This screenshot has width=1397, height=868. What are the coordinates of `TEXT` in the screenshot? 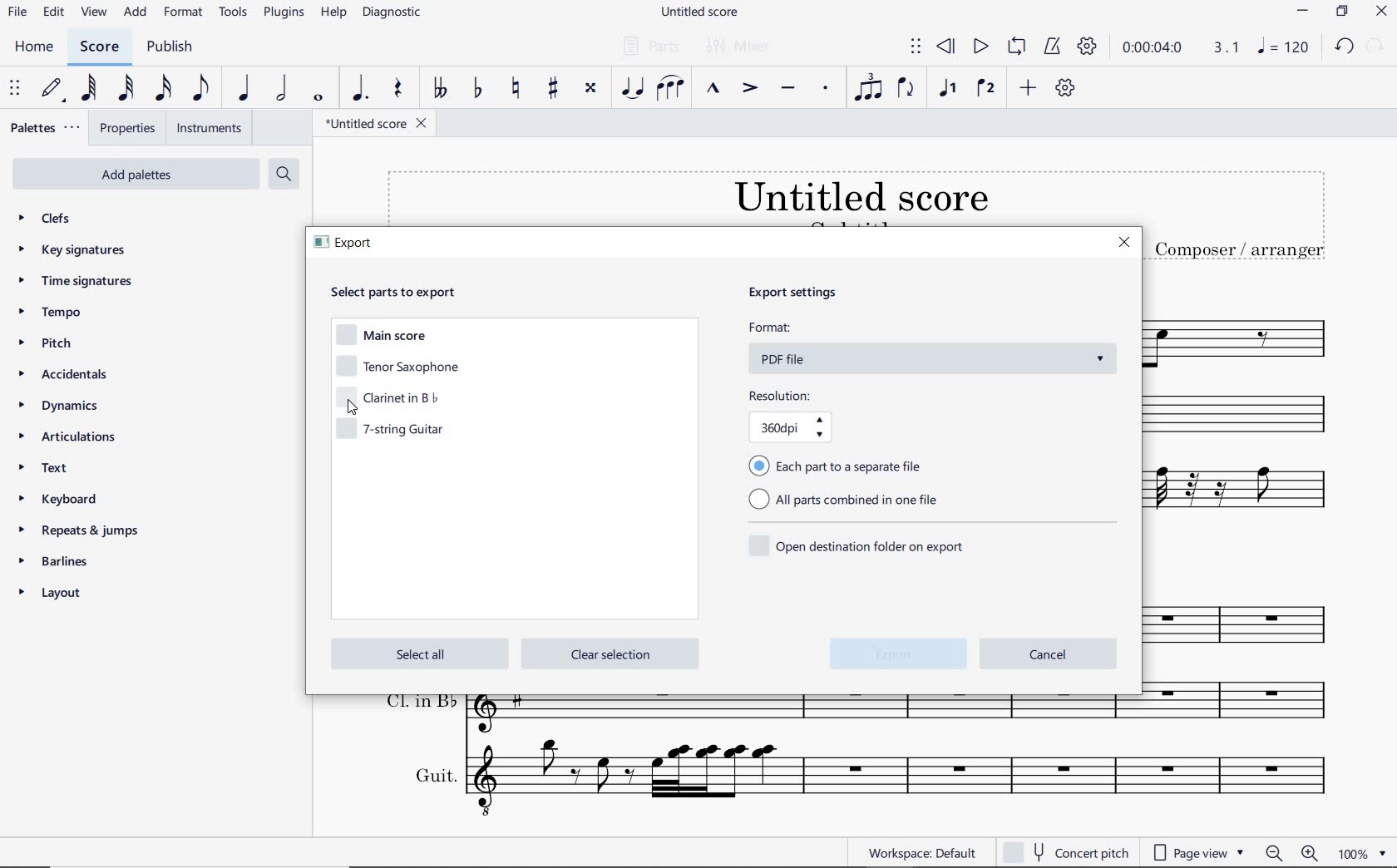 It's located at (53, 470).